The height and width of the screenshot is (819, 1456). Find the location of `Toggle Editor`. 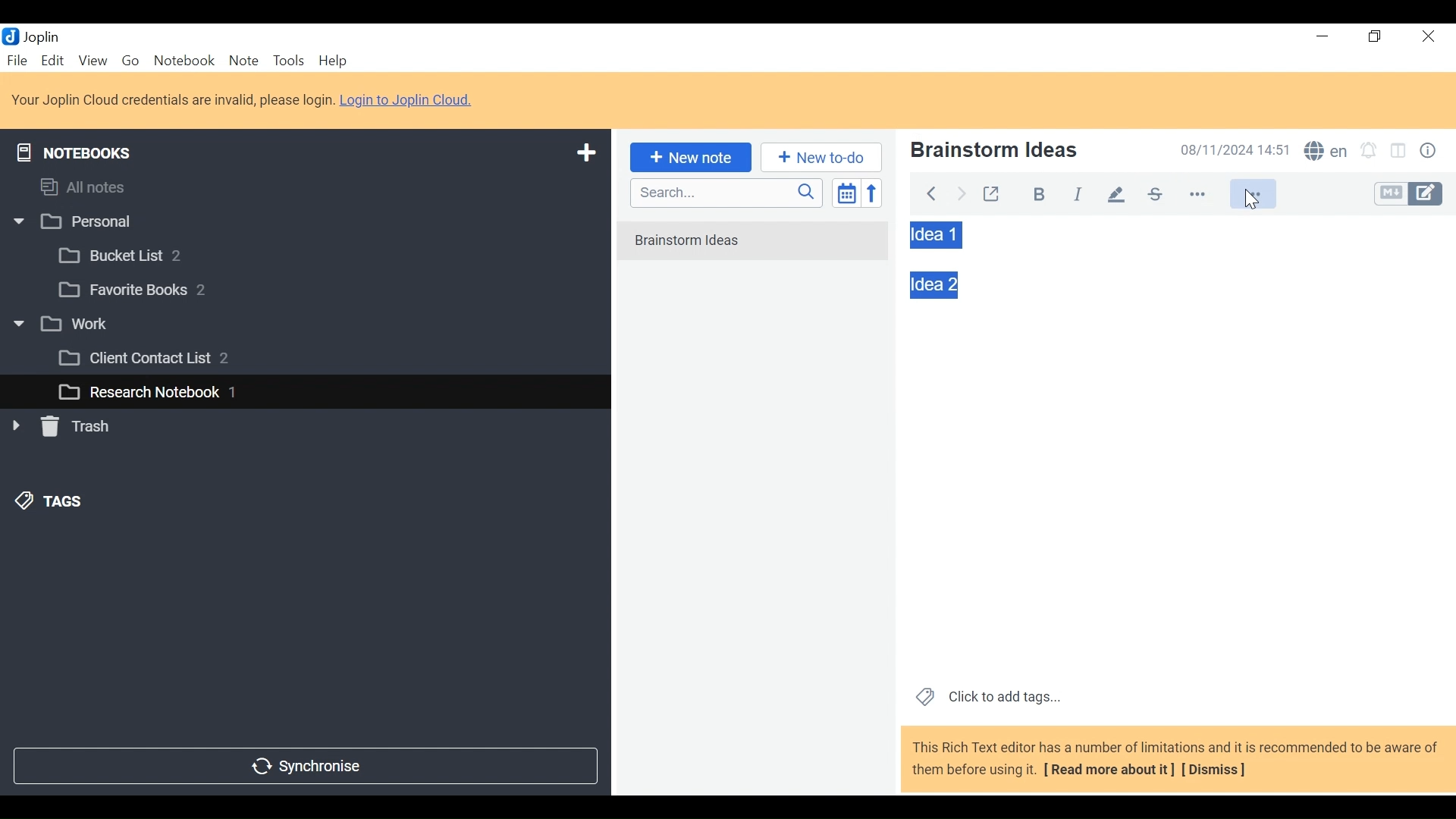

Toggle Editor is located at coordinates (1410, 194).